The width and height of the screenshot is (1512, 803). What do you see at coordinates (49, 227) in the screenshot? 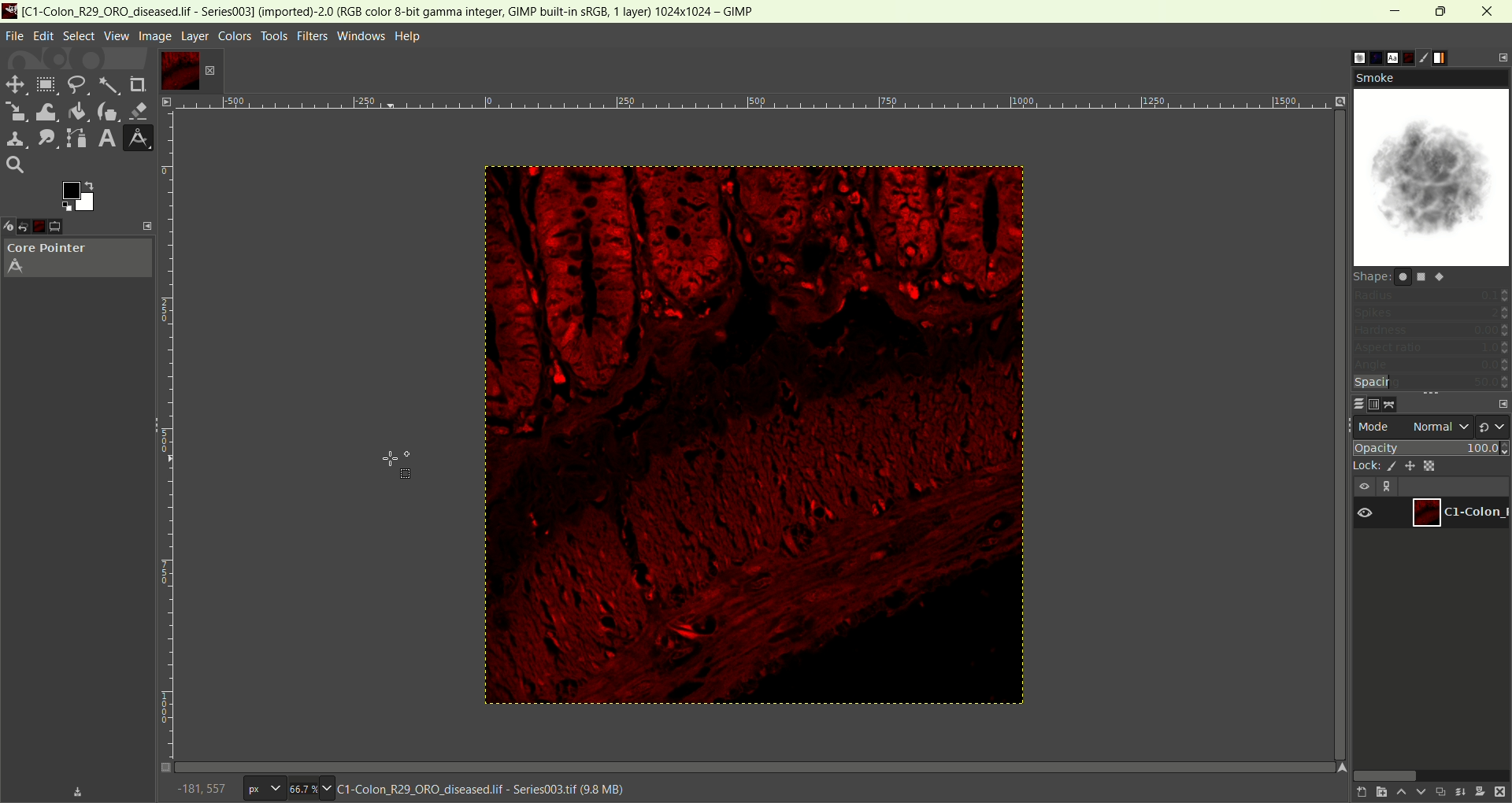
I see `images` at bounding box center [49, 227].